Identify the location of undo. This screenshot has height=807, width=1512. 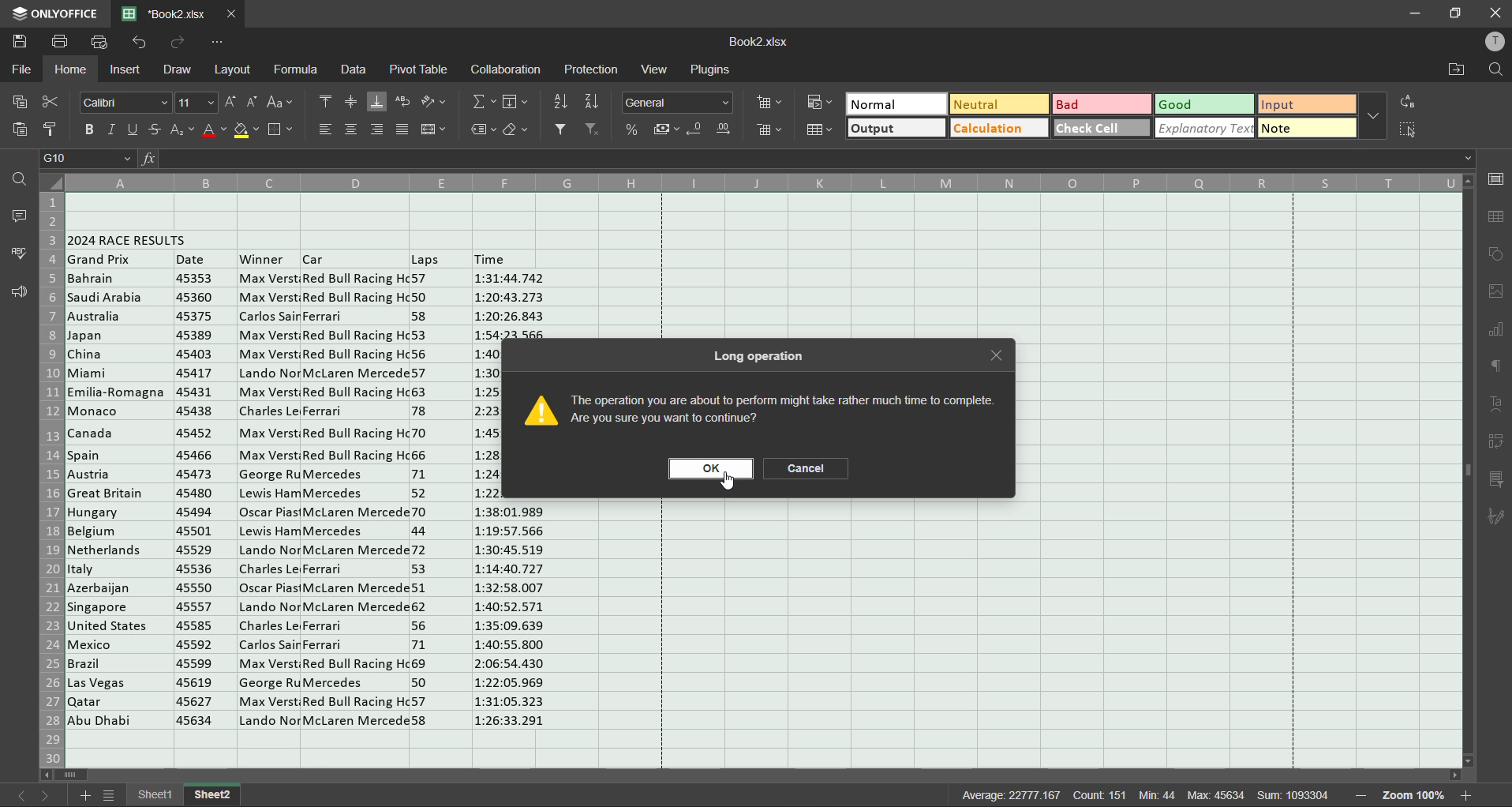
(138, 44).